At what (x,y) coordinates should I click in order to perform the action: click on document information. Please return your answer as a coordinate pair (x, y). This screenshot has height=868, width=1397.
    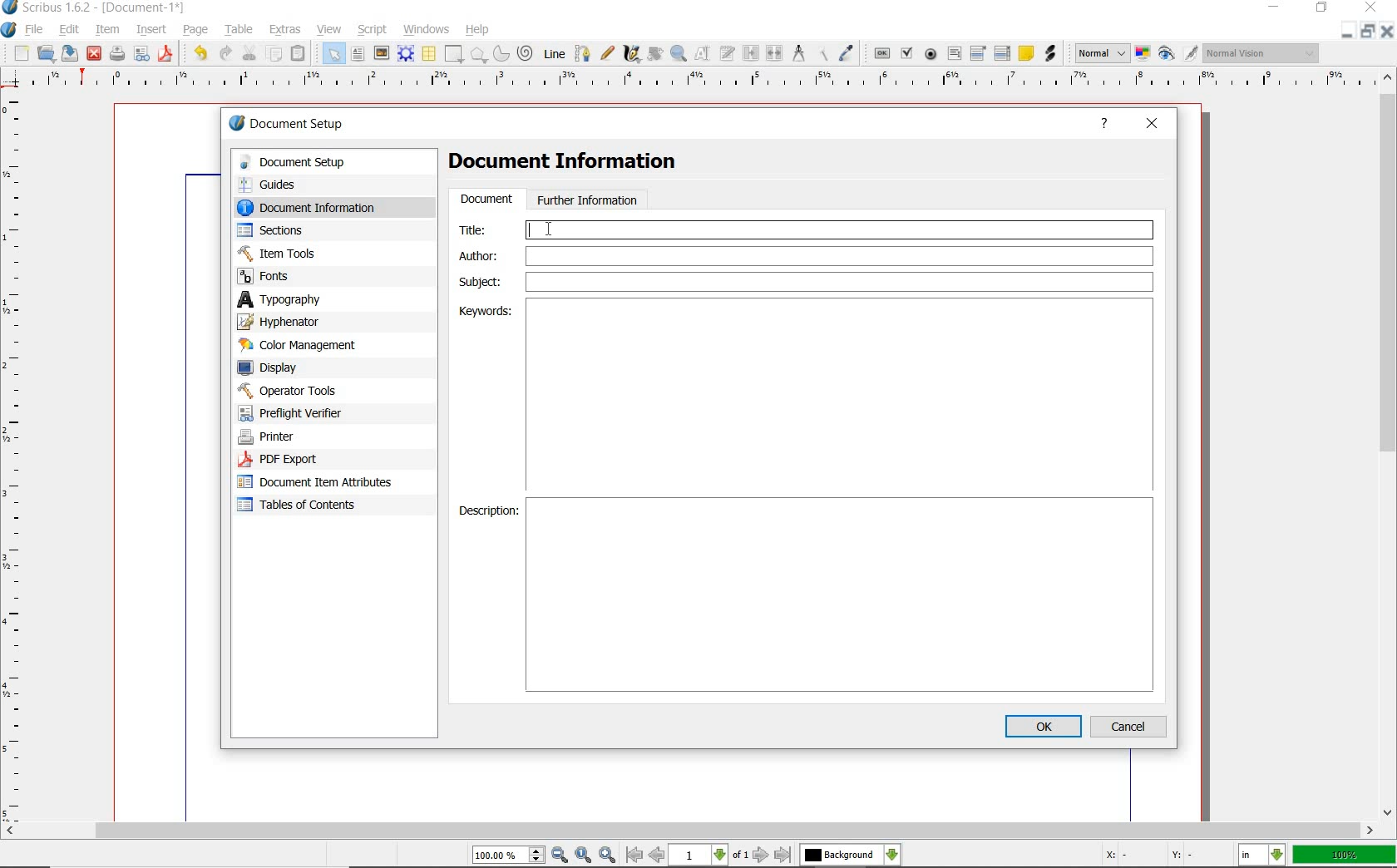
    Looking at the image, I should click on (323, 207).